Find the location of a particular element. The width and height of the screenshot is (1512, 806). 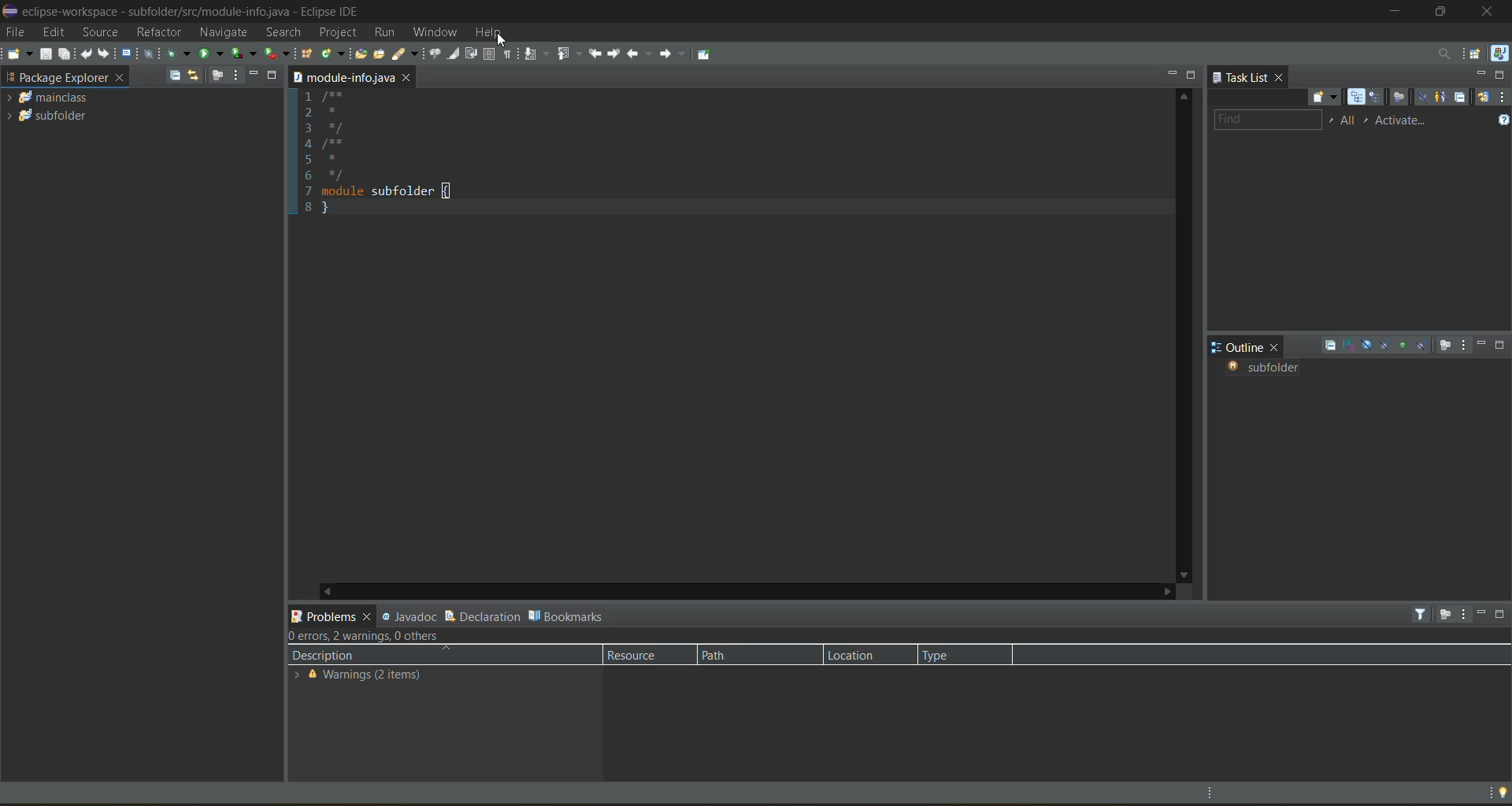

Subfolder is located at coordinates (49, 117).